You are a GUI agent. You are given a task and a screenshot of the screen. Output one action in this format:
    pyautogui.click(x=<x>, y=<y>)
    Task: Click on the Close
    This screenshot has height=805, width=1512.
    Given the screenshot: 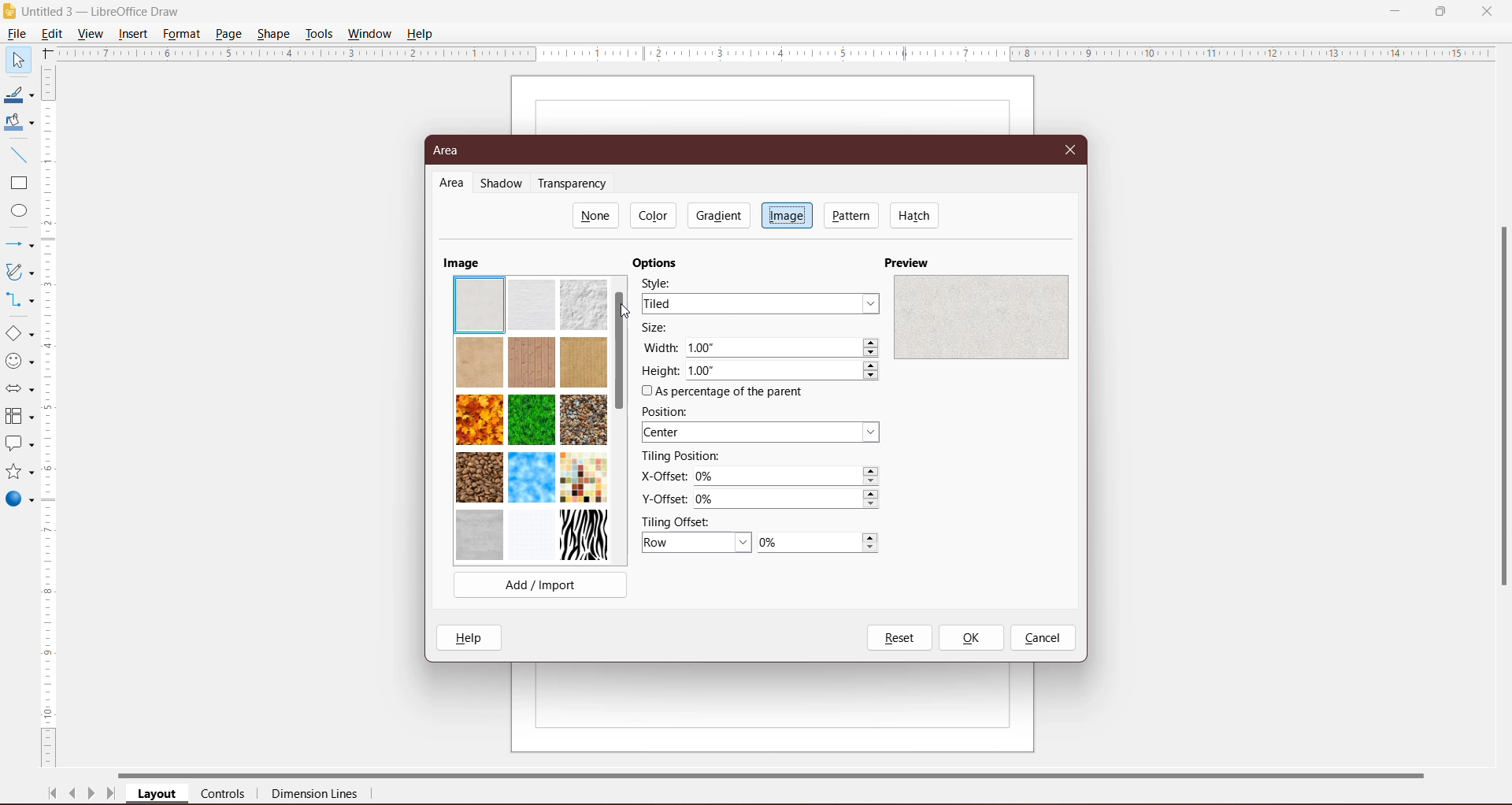 What is the action you would take?
    pyautogui.click(x=1071, y=148)
    